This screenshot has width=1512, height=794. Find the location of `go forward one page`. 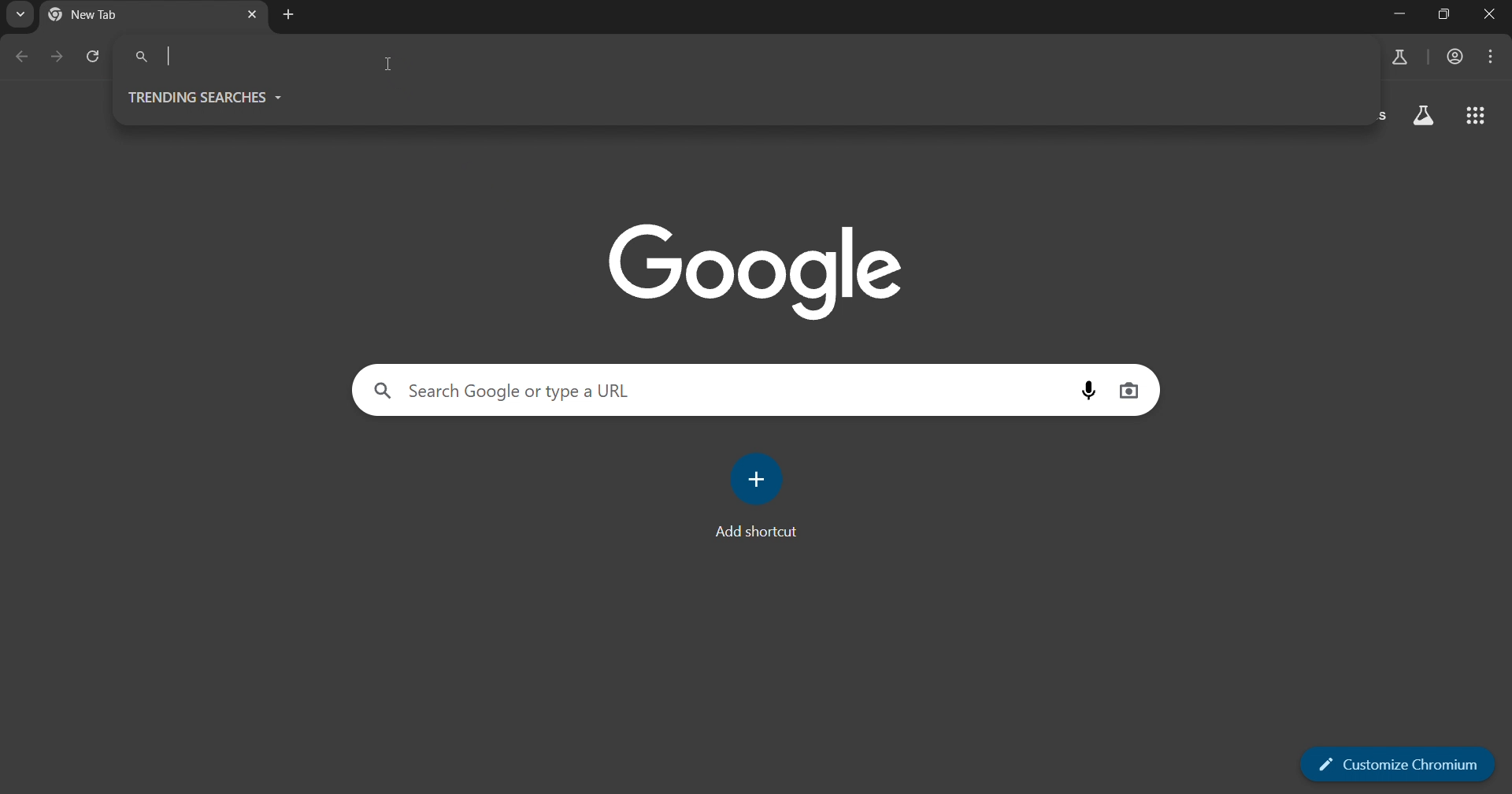

go forward one page is located at coordinates (57, 58).